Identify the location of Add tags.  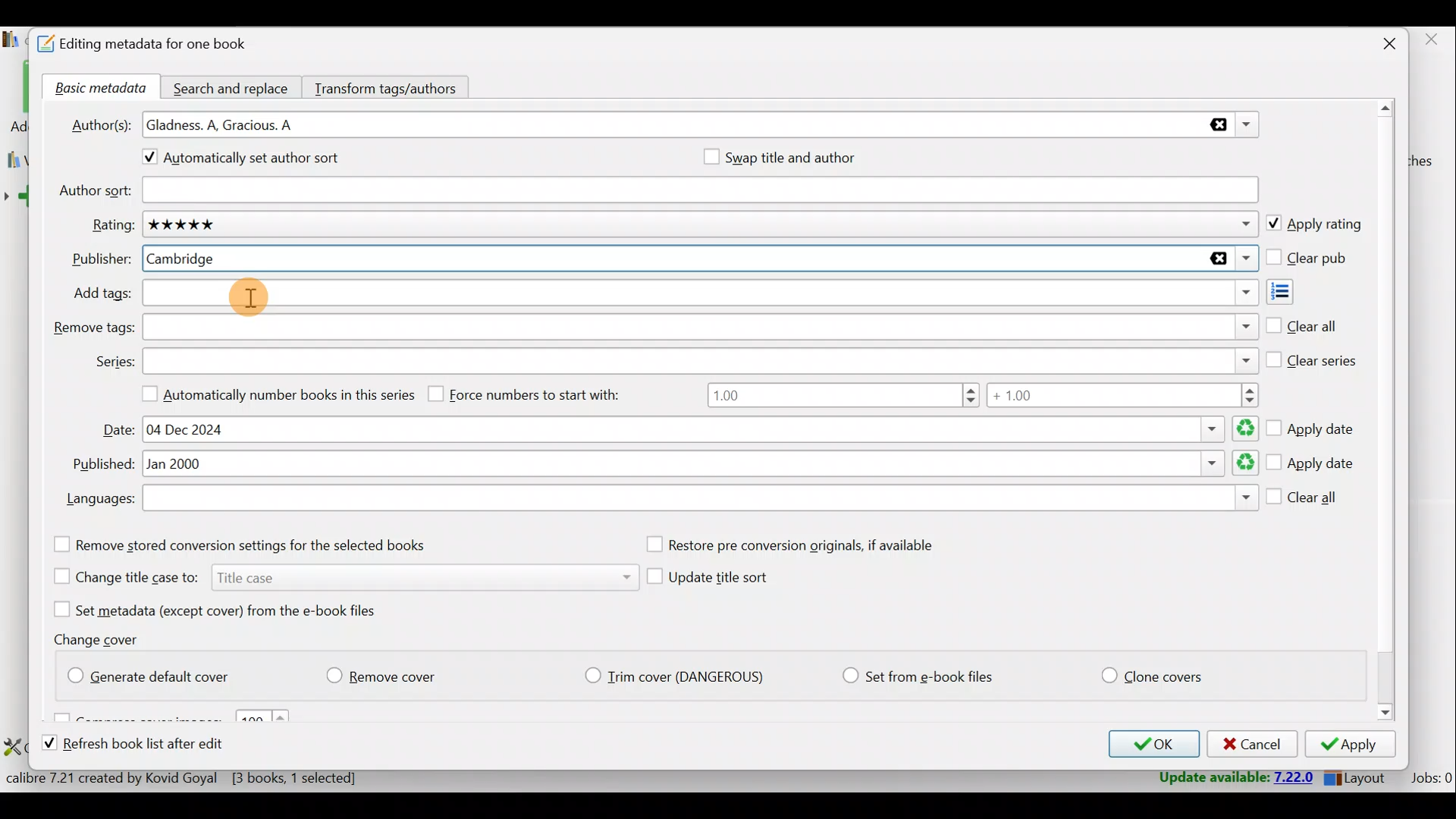
(1294, 292).